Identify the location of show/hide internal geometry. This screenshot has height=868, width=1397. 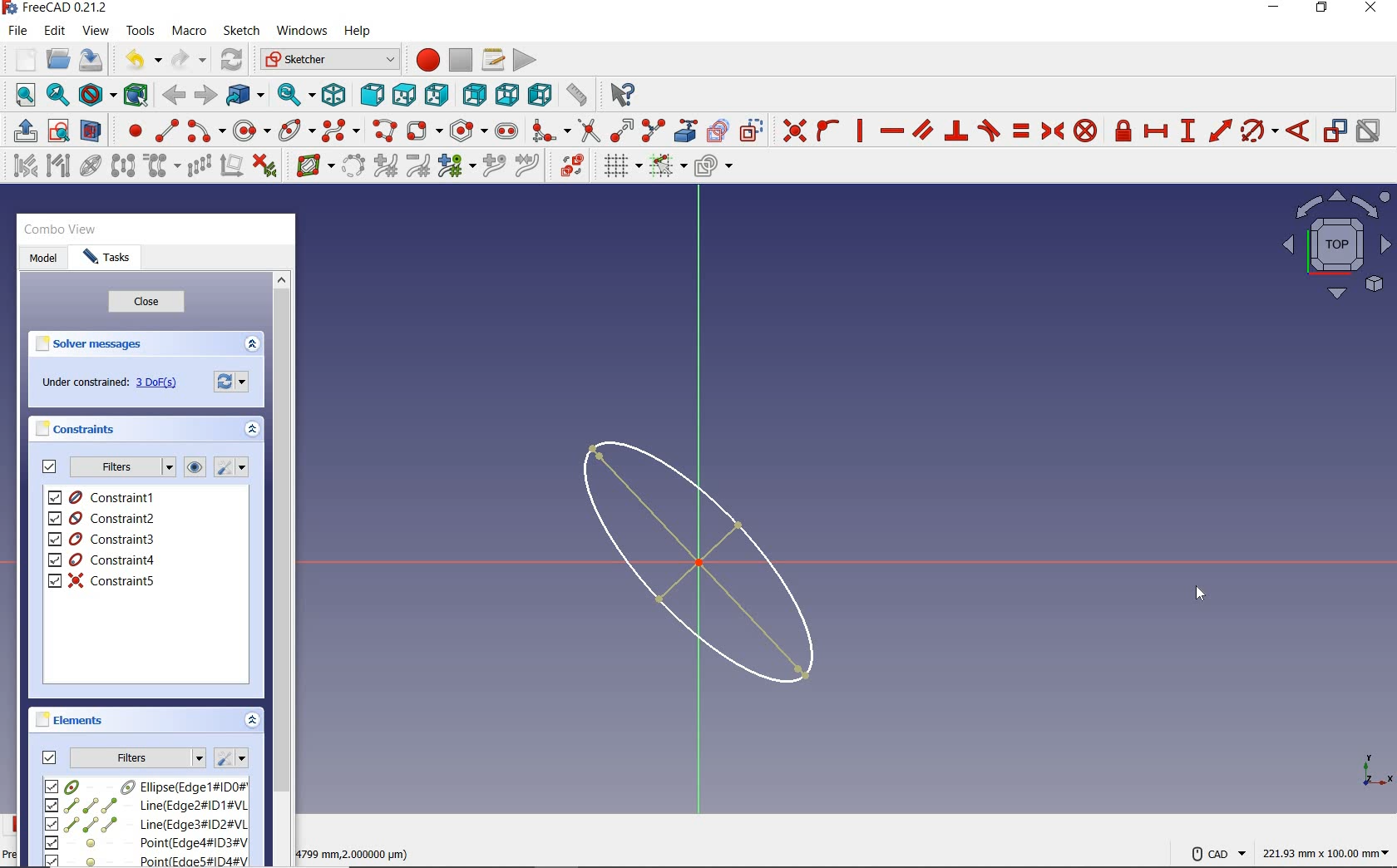
(93, 165).